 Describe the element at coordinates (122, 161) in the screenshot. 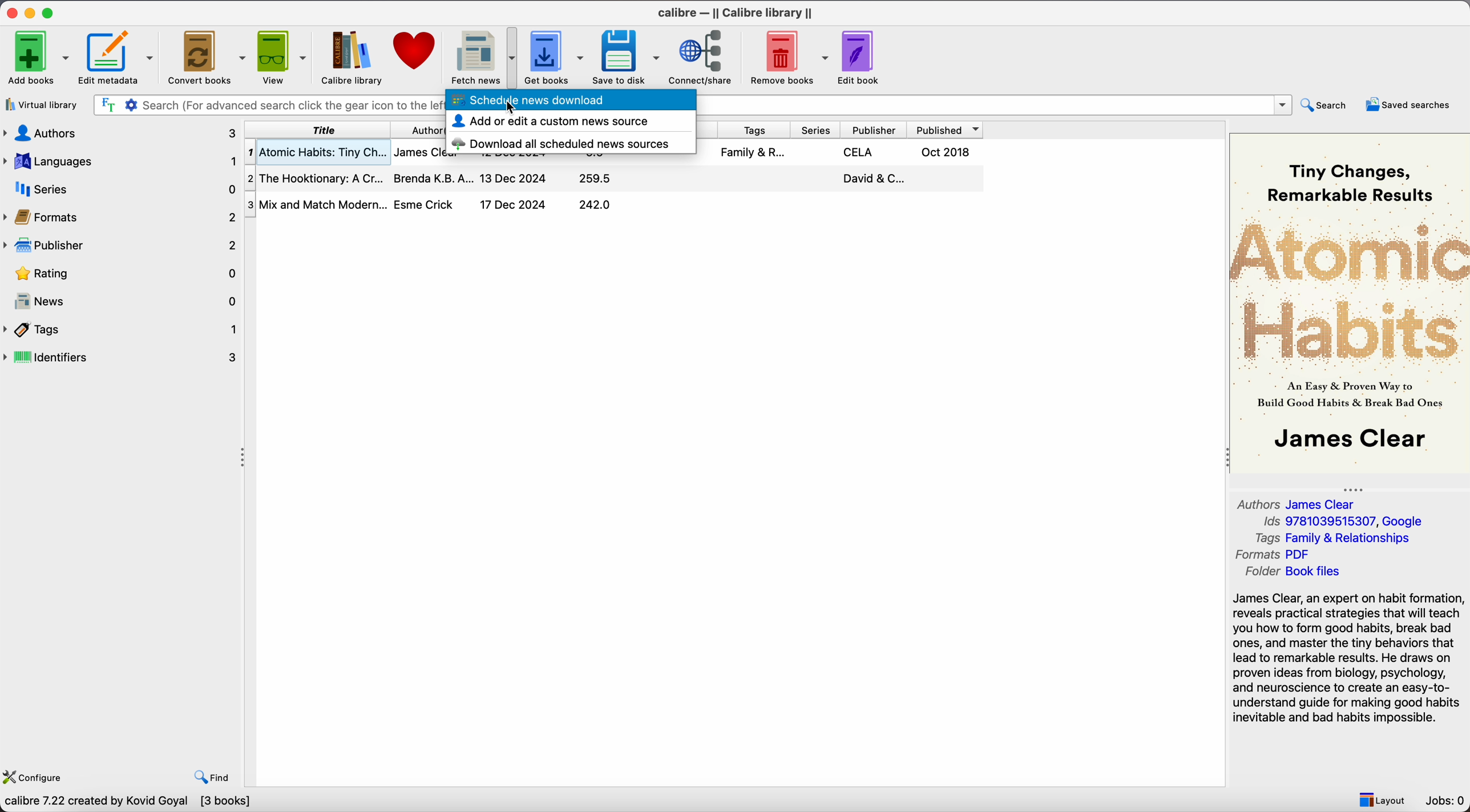

I see `languages` at that location.